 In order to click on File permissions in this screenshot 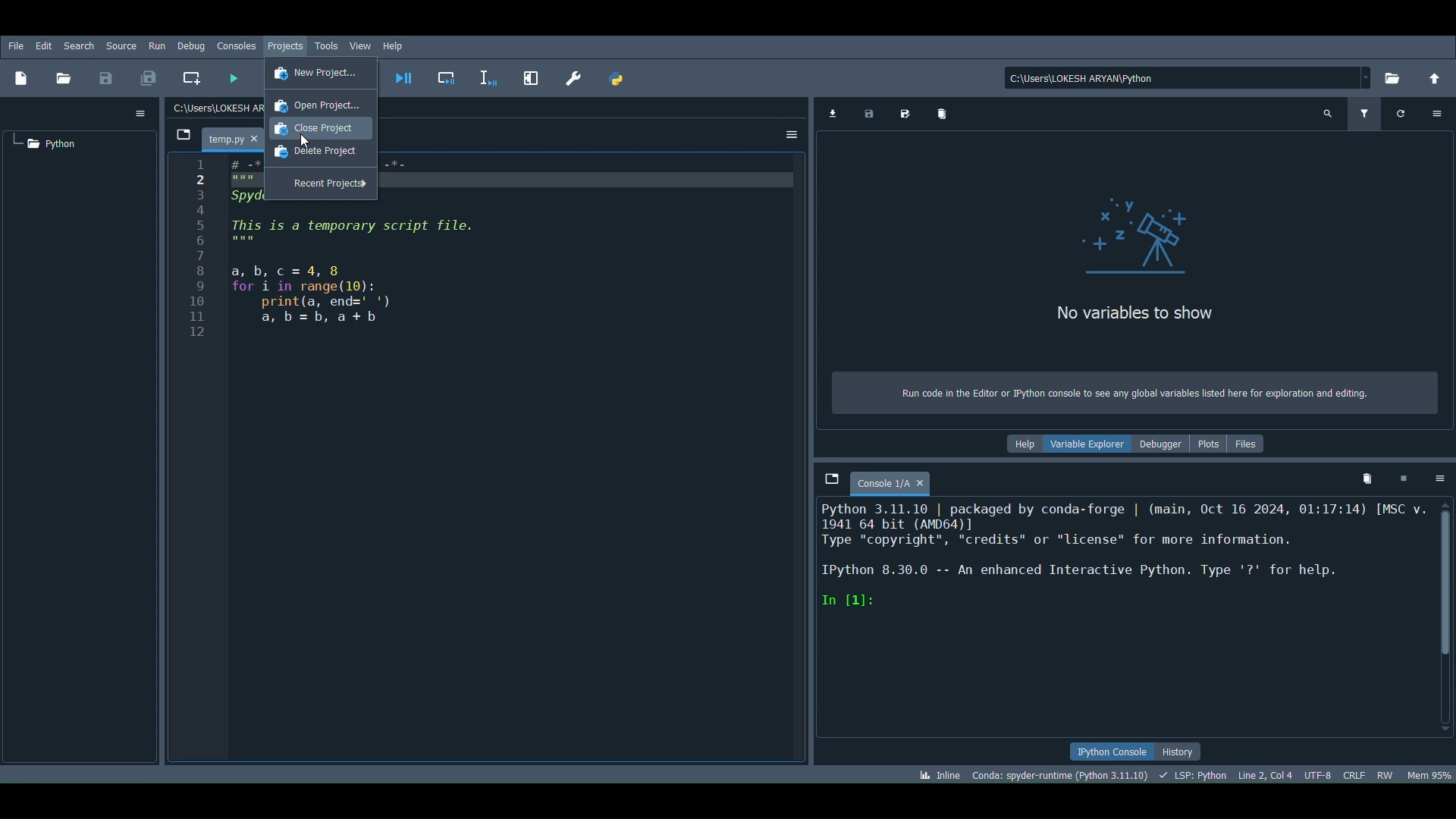, I will do `click(1385, 774)`.